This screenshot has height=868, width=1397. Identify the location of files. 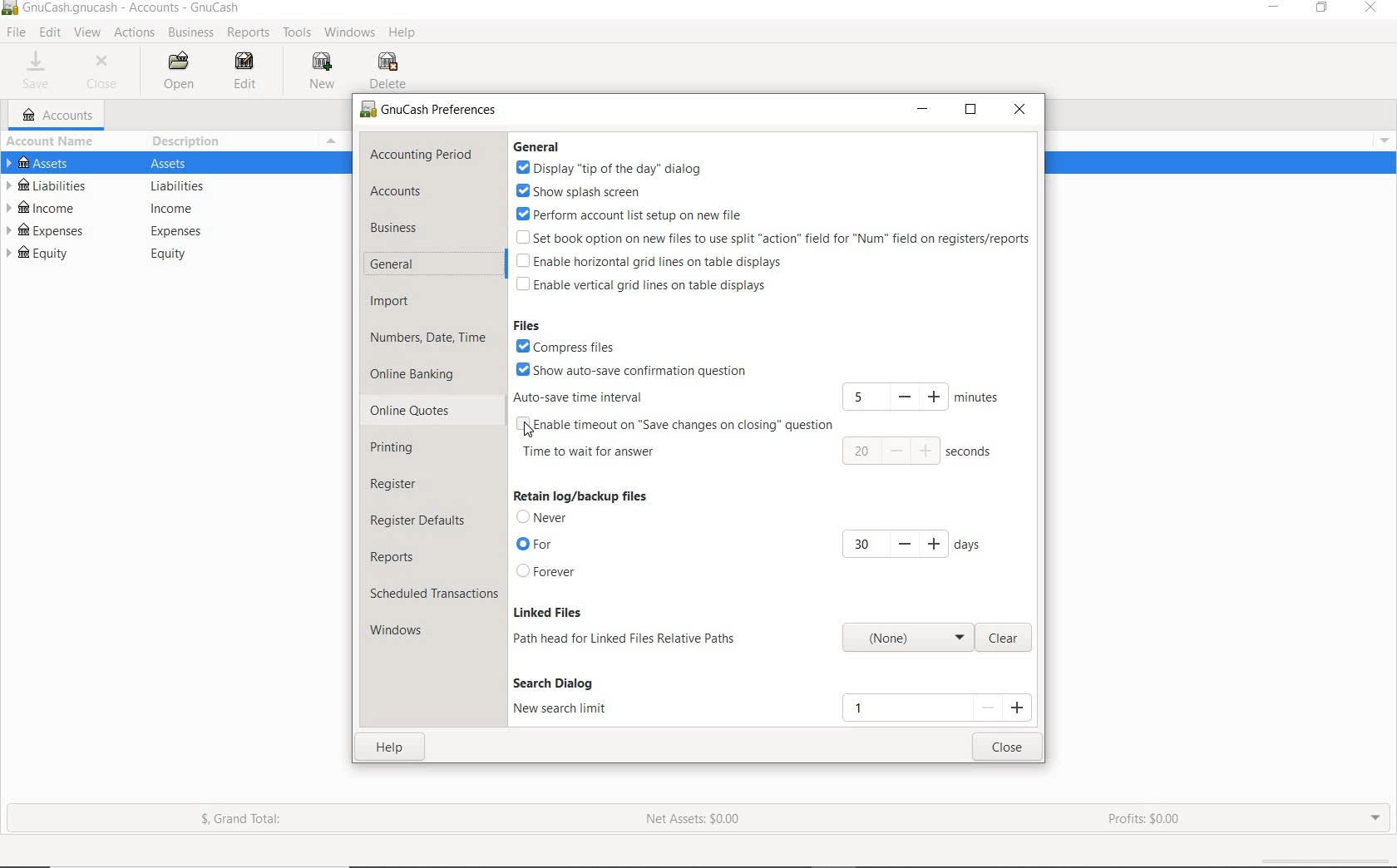
(529, 326).